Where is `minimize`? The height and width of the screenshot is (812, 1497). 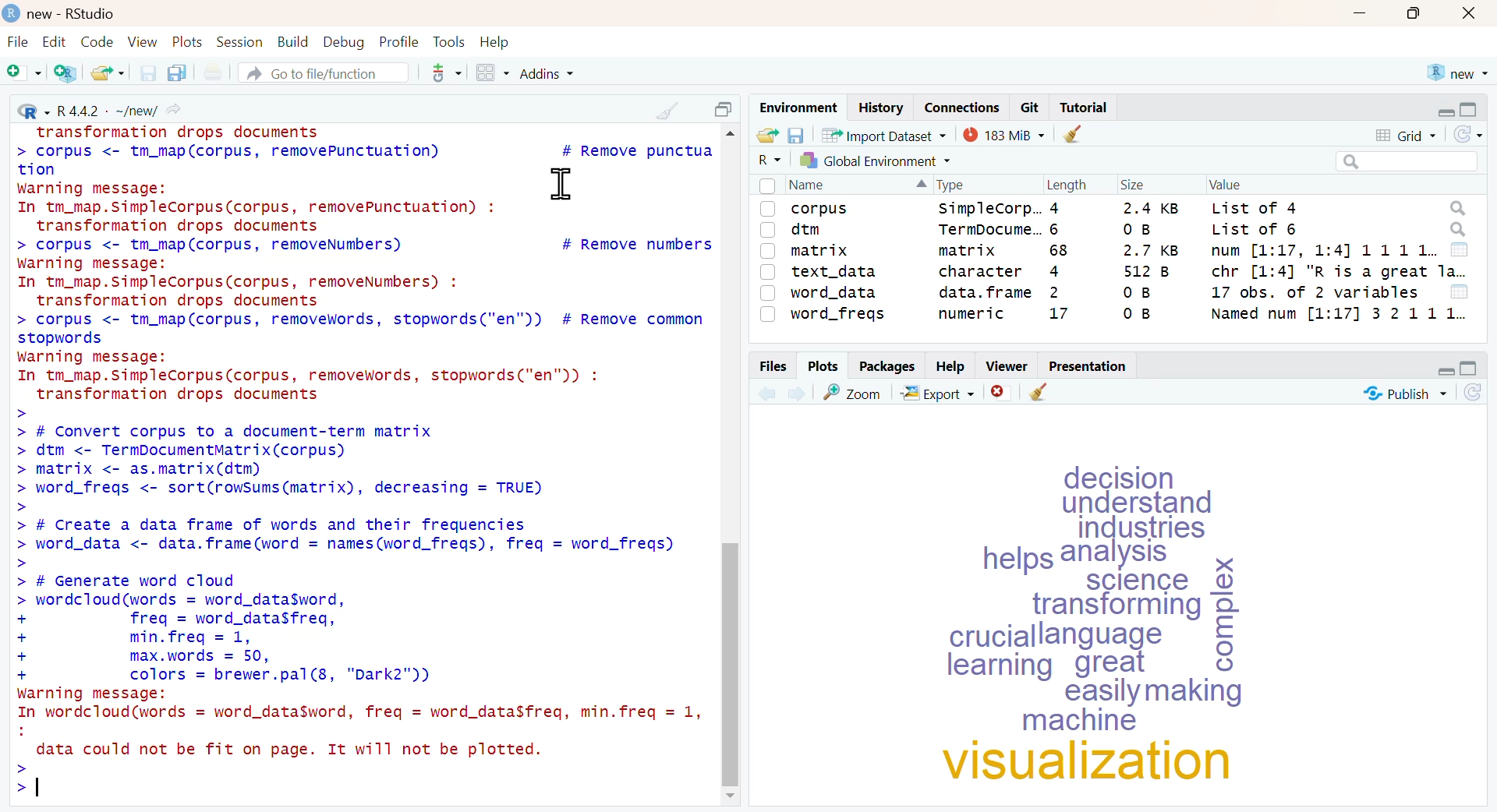
minimize is located at coordinates (1446, 111).